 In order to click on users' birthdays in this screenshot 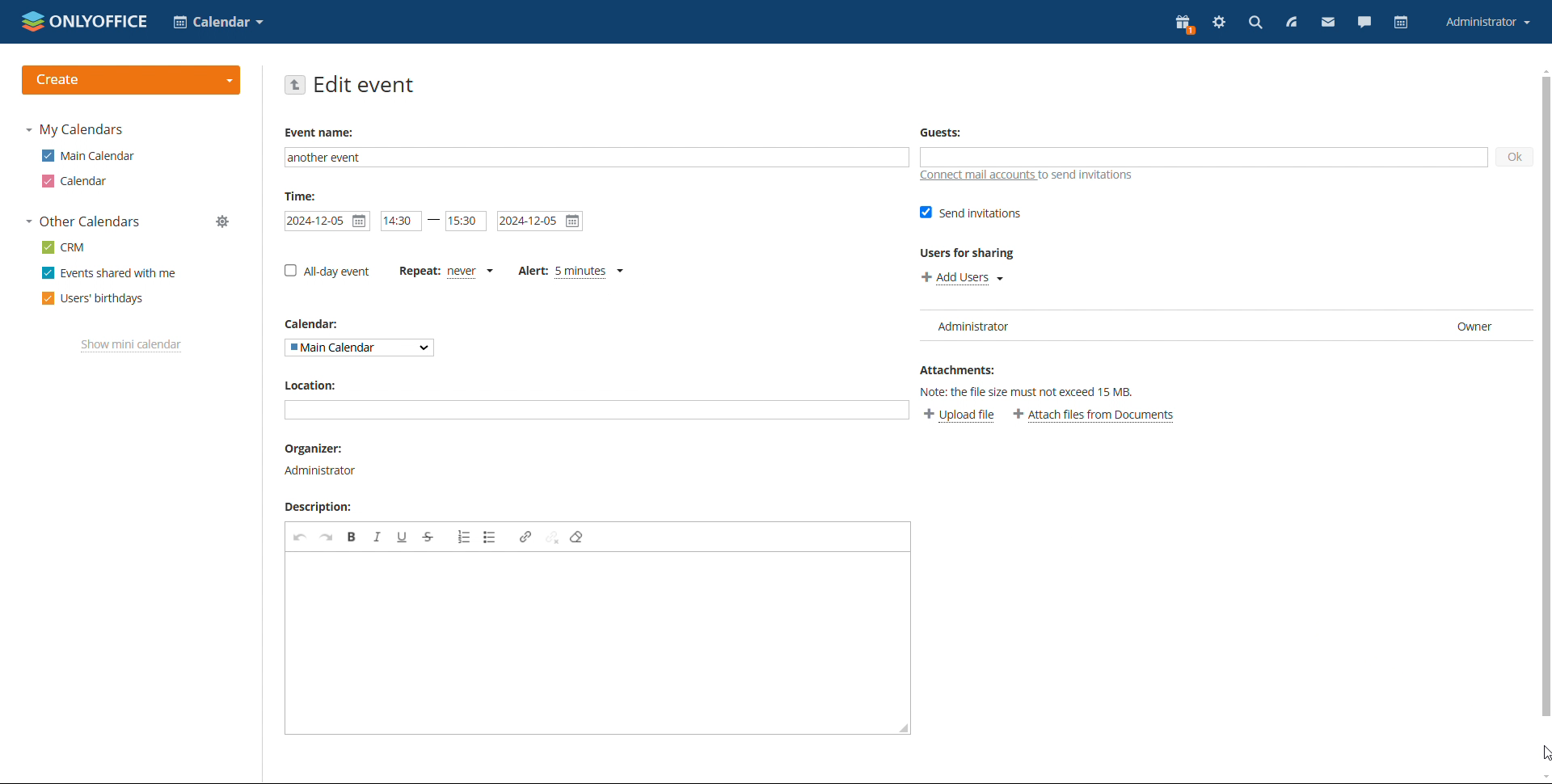, I will do `click(93, 299)`.